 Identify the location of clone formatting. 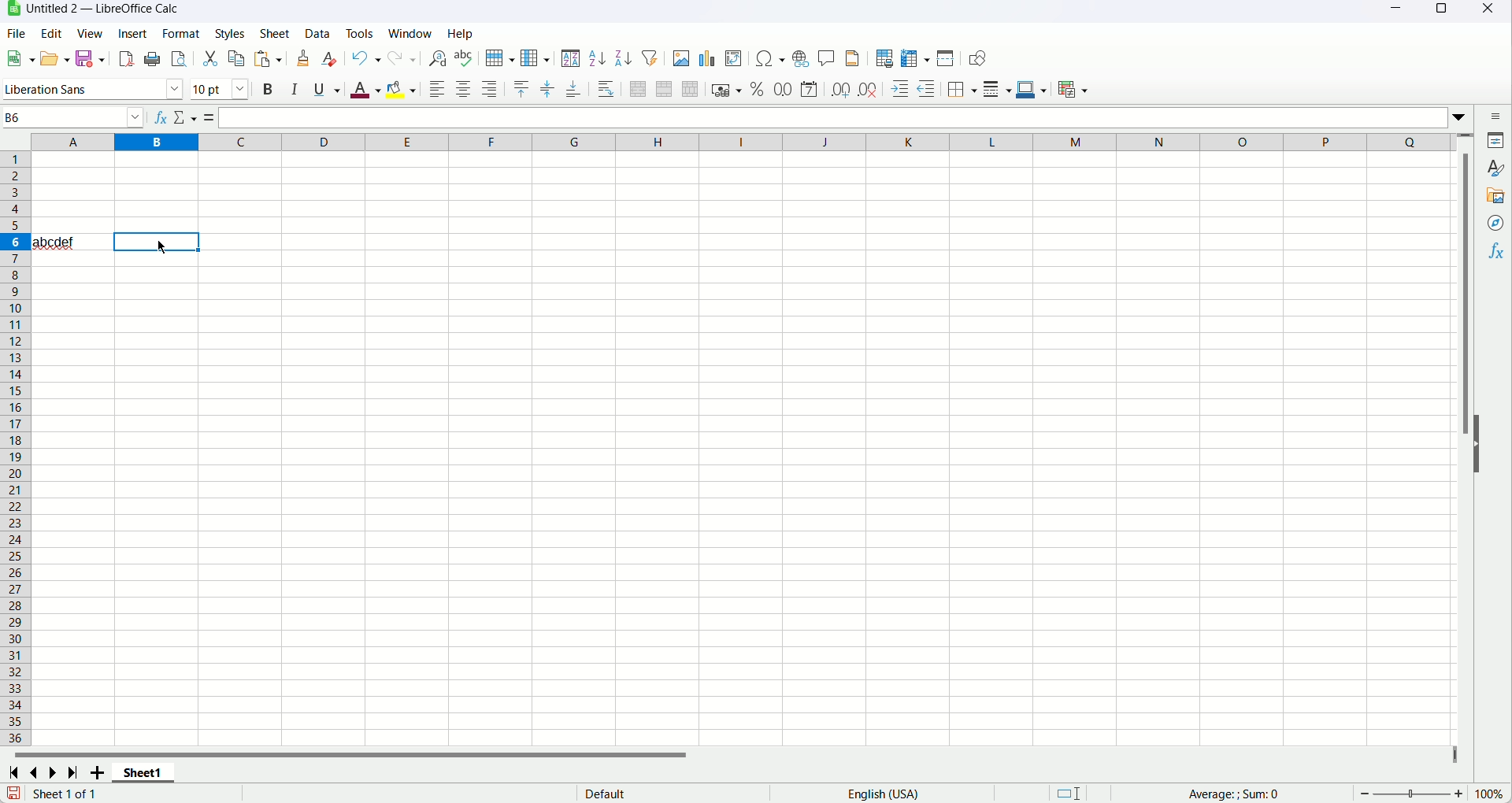
(303, 58).